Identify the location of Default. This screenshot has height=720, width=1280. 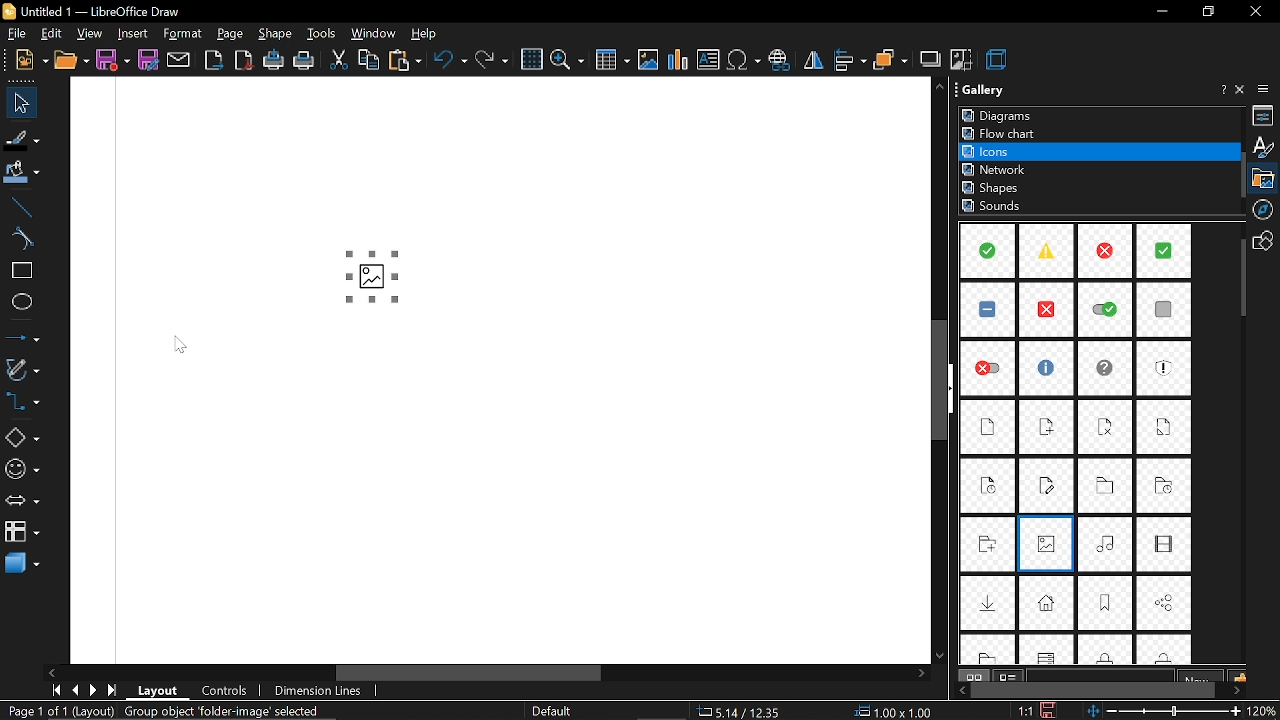
(555, 711).